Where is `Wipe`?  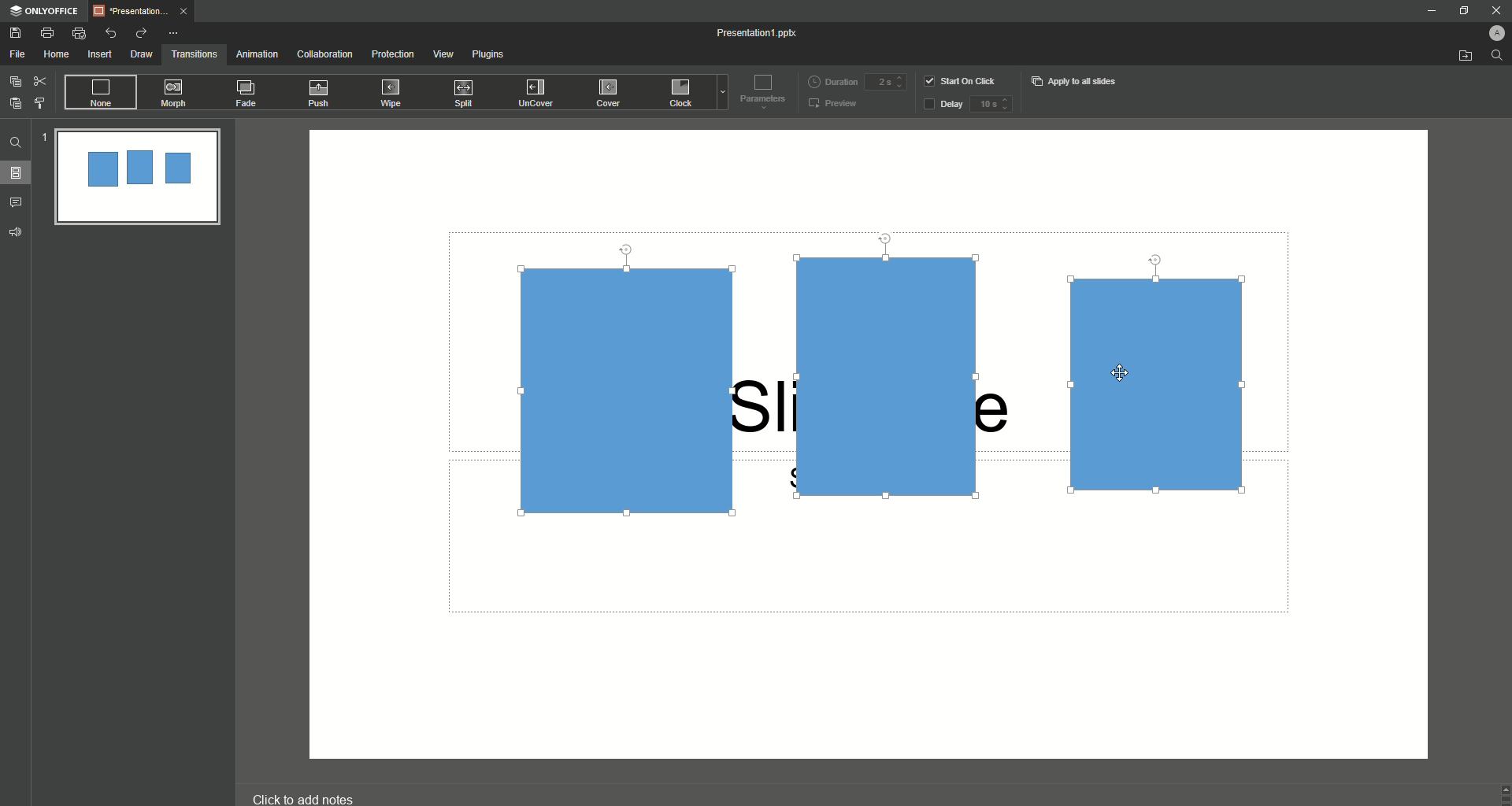 Wipe is located at coordinates (391, 92).